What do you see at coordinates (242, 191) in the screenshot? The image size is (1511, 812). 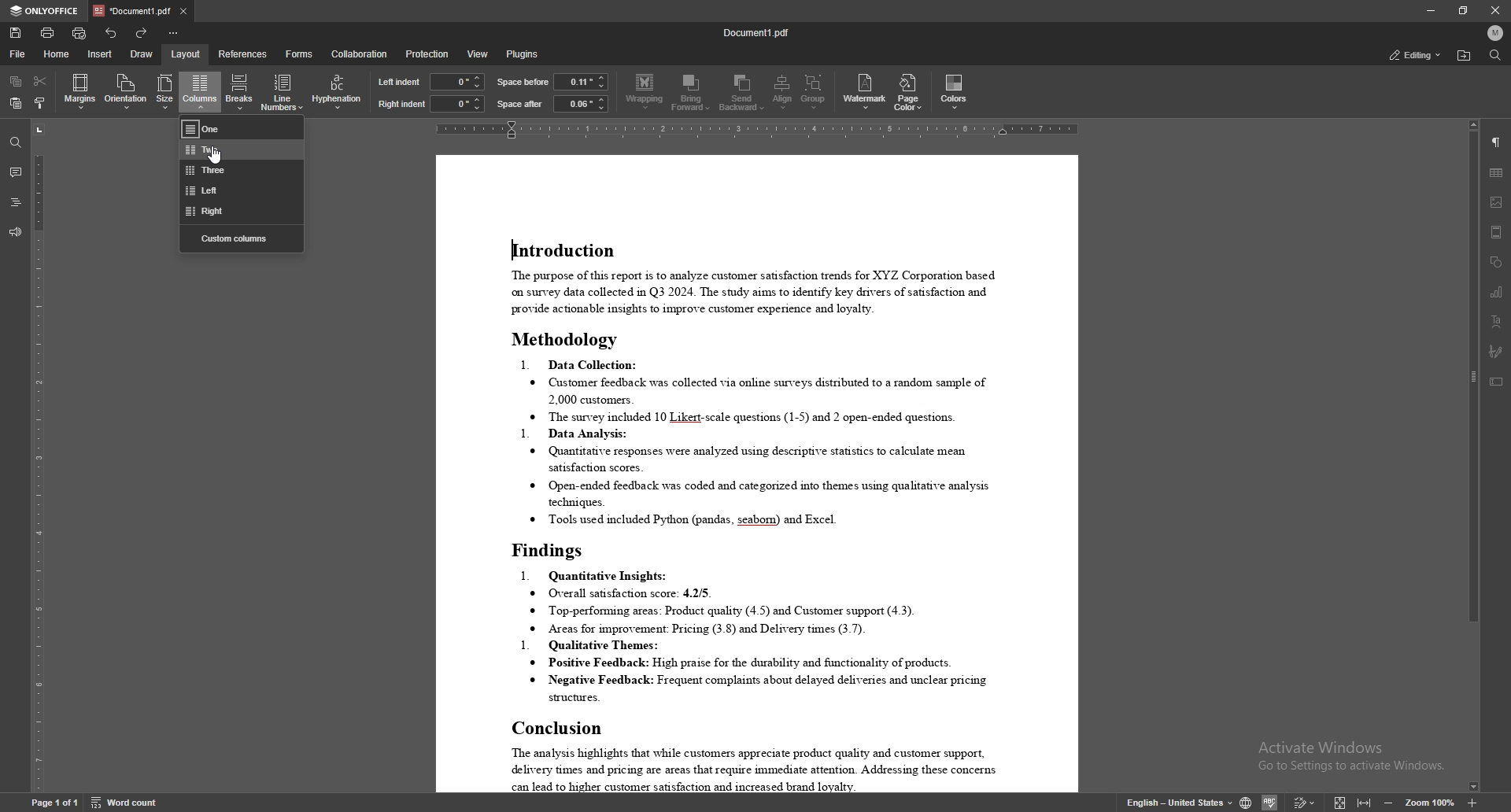 I see `left` at bounding box center [242, 191].